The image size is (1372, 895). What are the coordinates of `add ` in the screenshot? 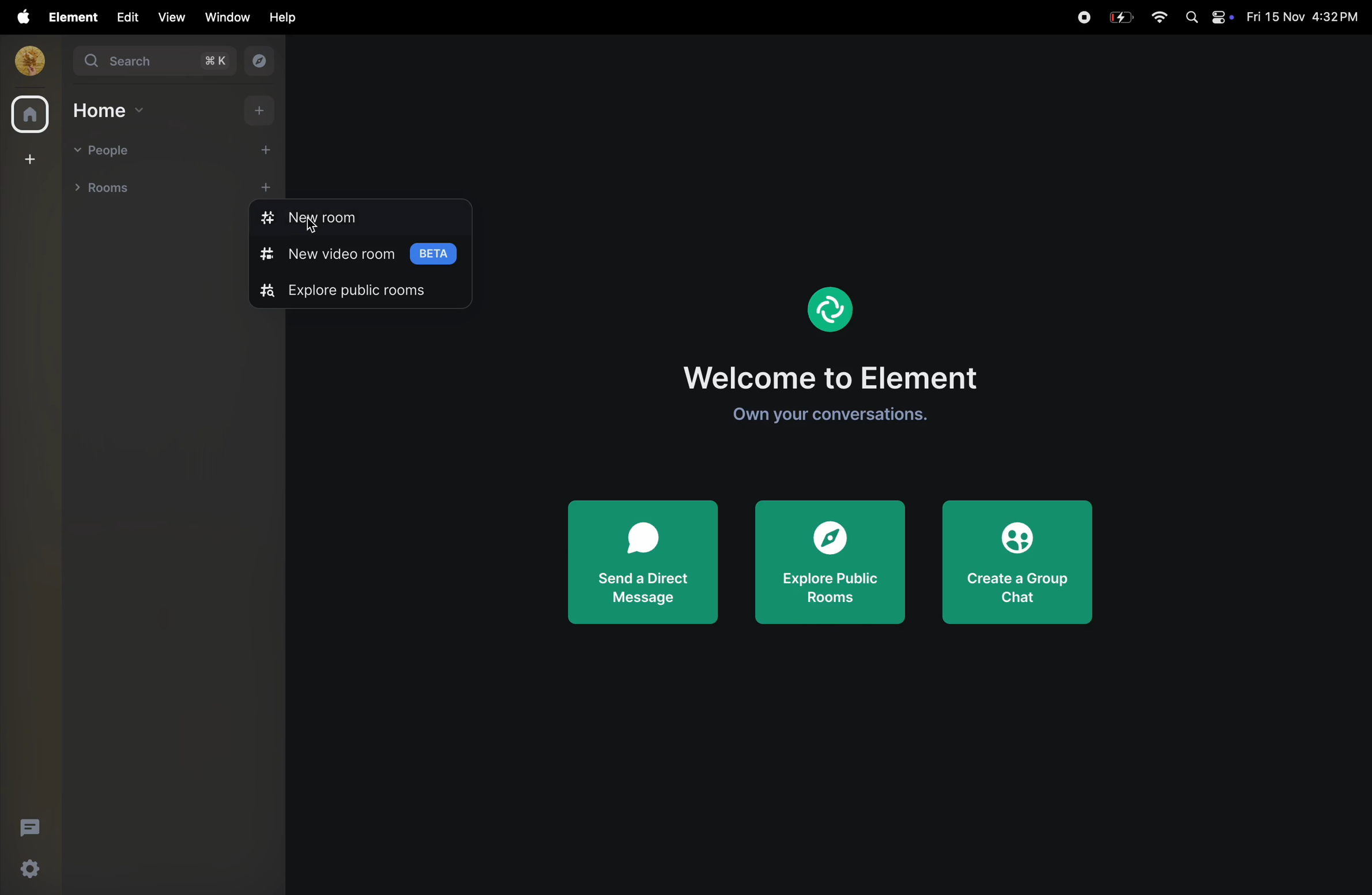 It's located at (265, 152).